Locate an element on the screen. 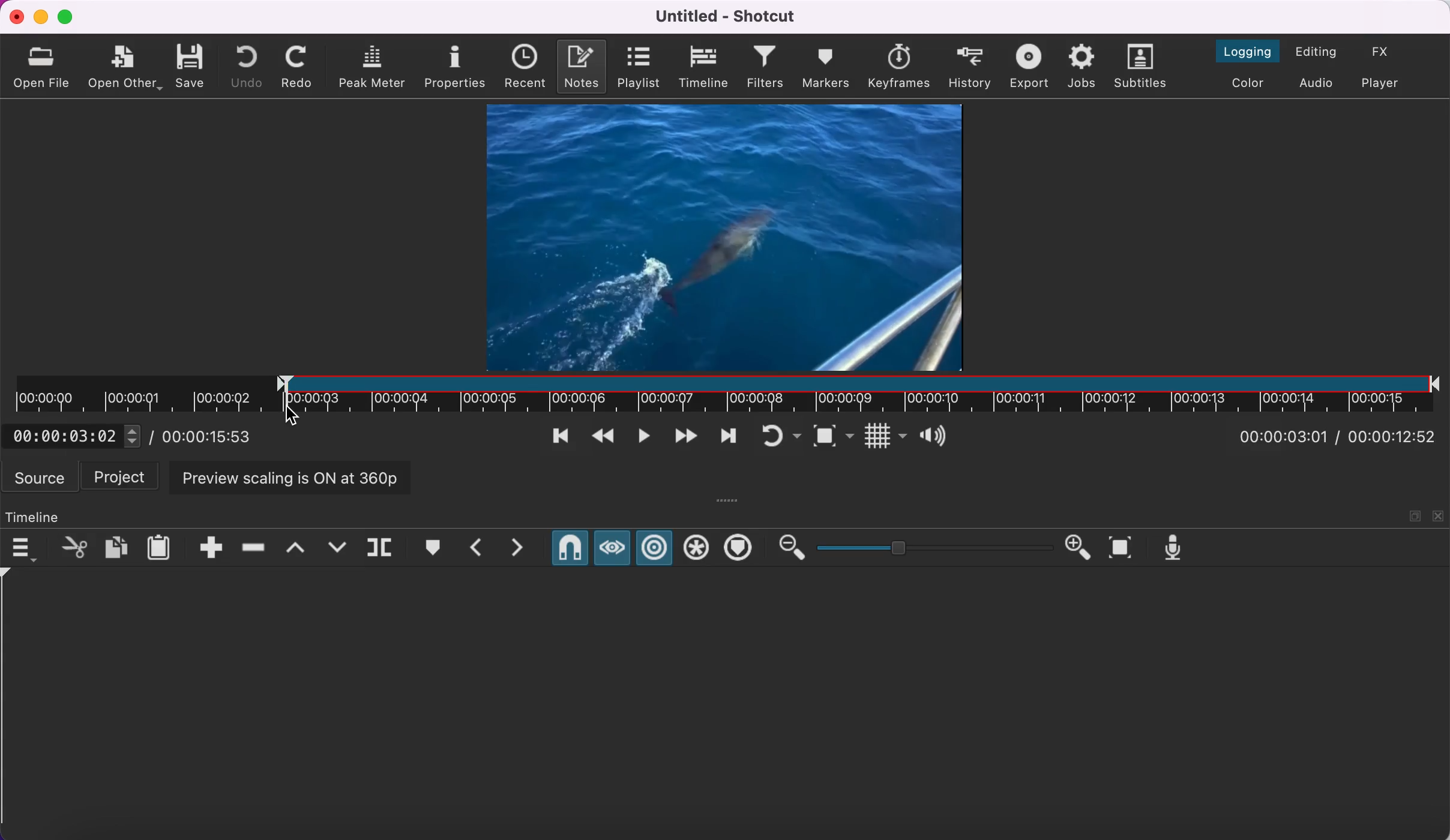  project is located at coordinates (121, 477).